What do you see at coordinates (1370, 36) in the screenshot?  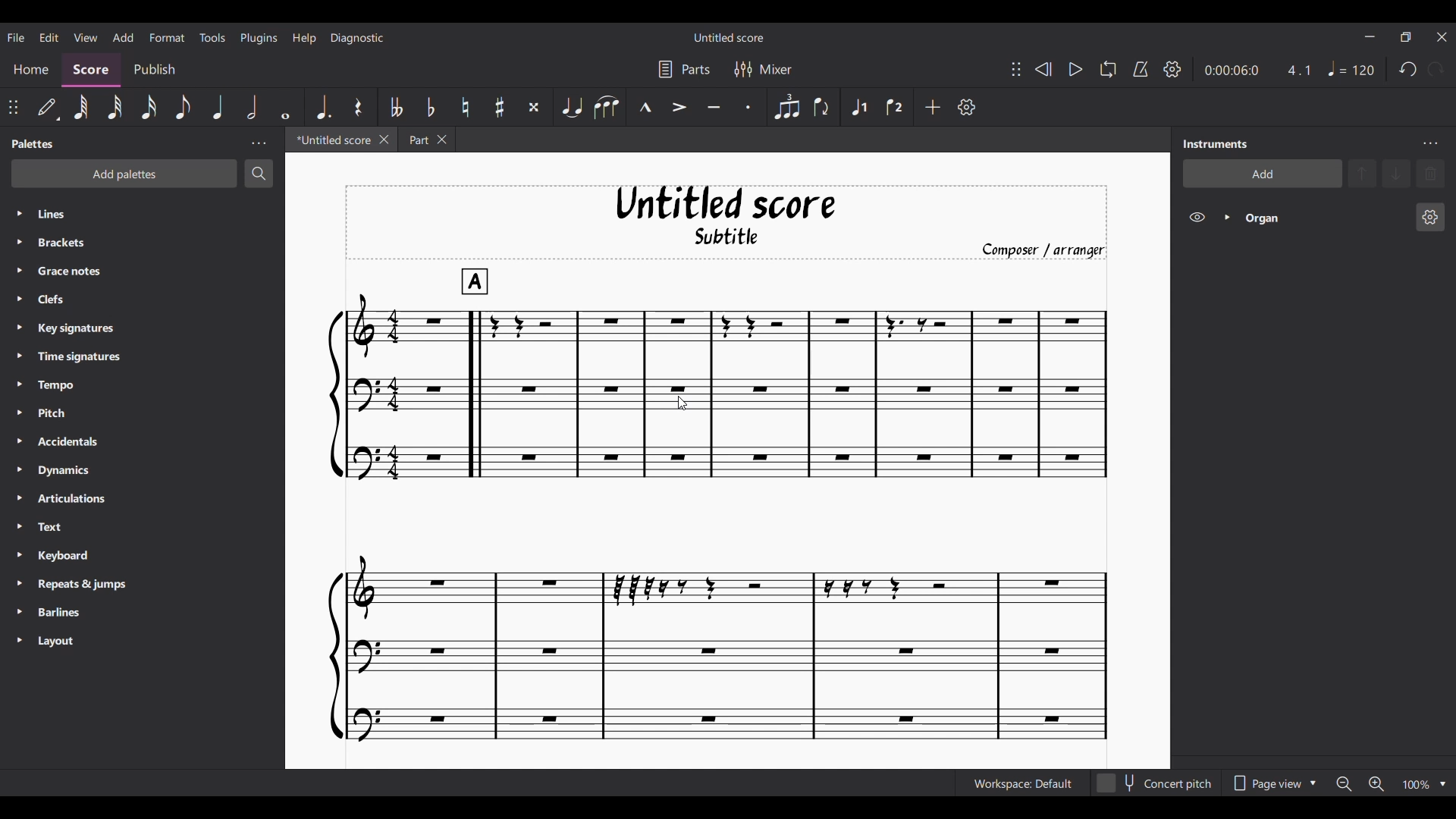 I see `Minimize` at bounding box center [1370, 36].